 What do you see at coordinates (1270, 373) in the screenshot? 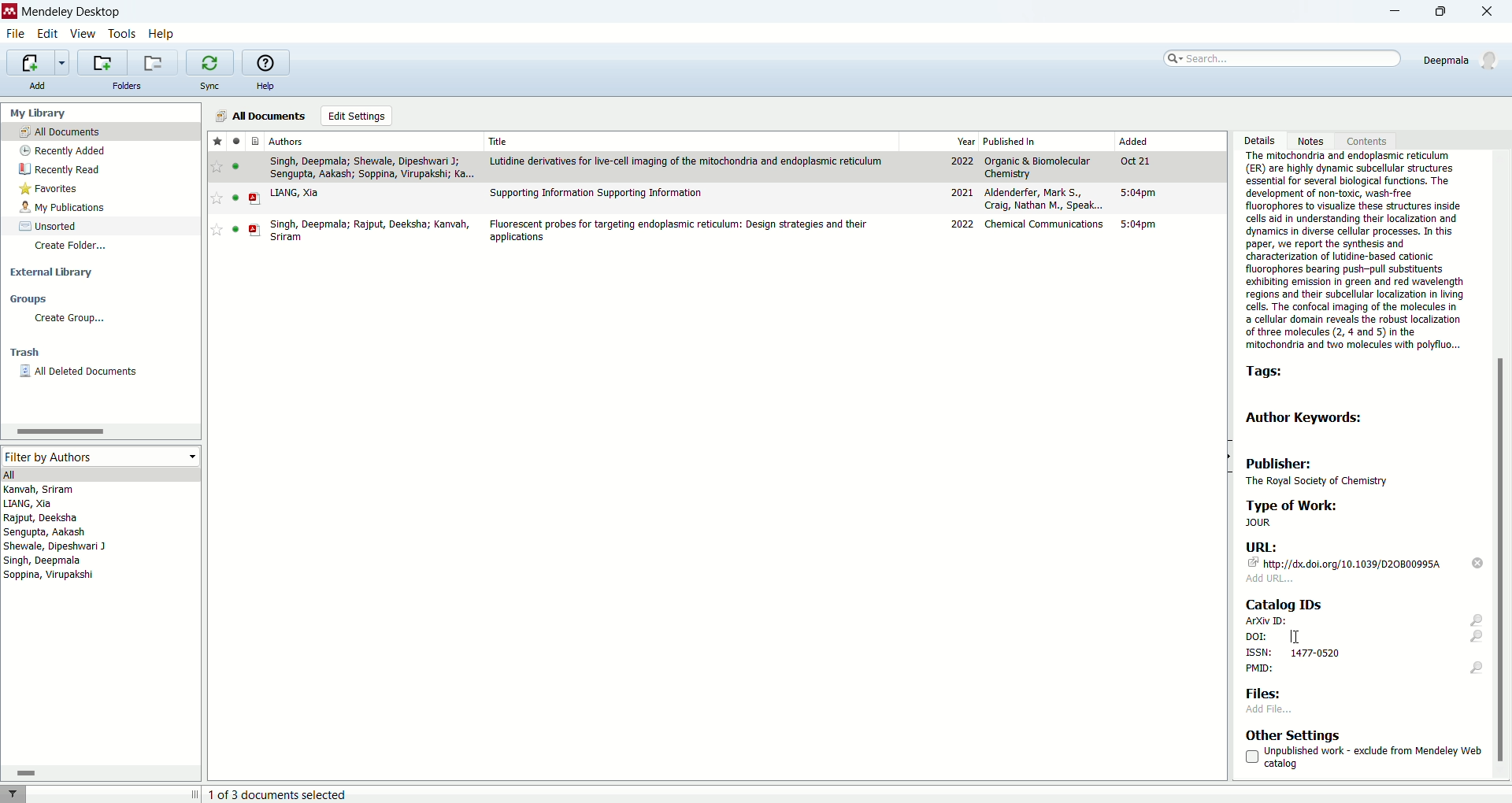
I see `tags: ` at bounding box center [1270, 373].